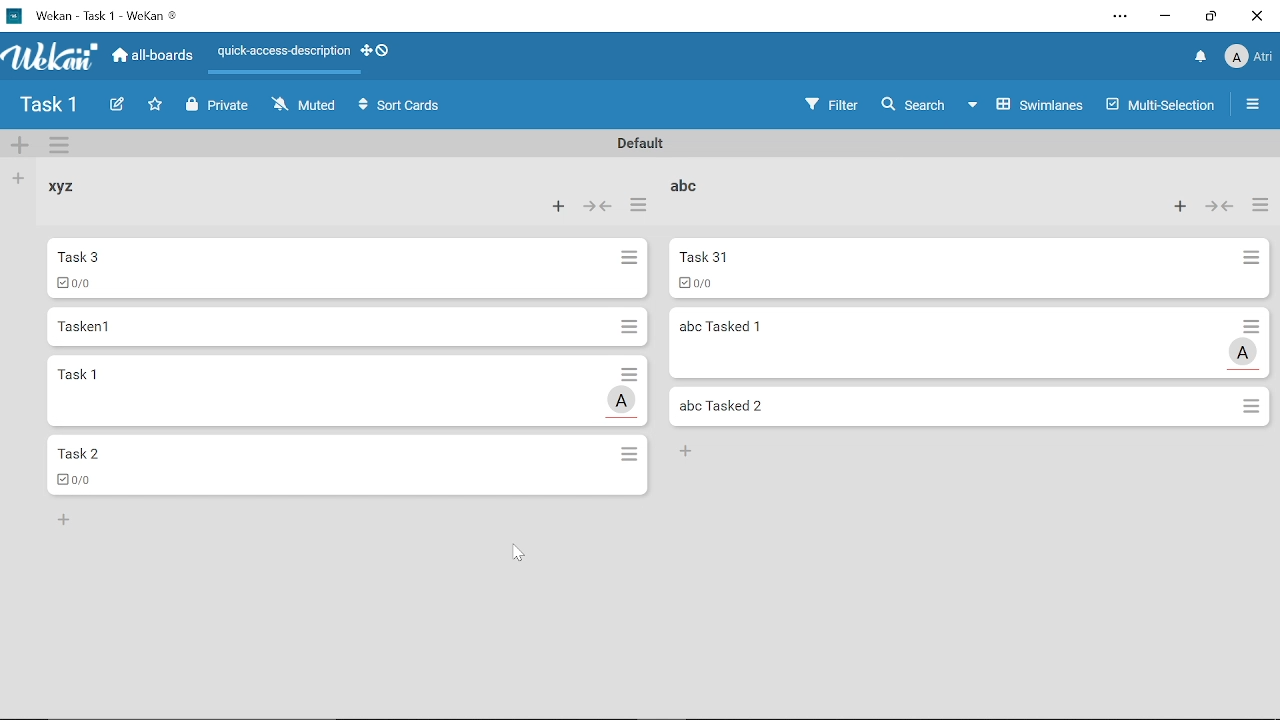 The width and height of the screenshot is (1280, 720). What do you see at coordinates (280, 55) in the screenshot?
I see `Quick access description` at bounding box center [280, 55].